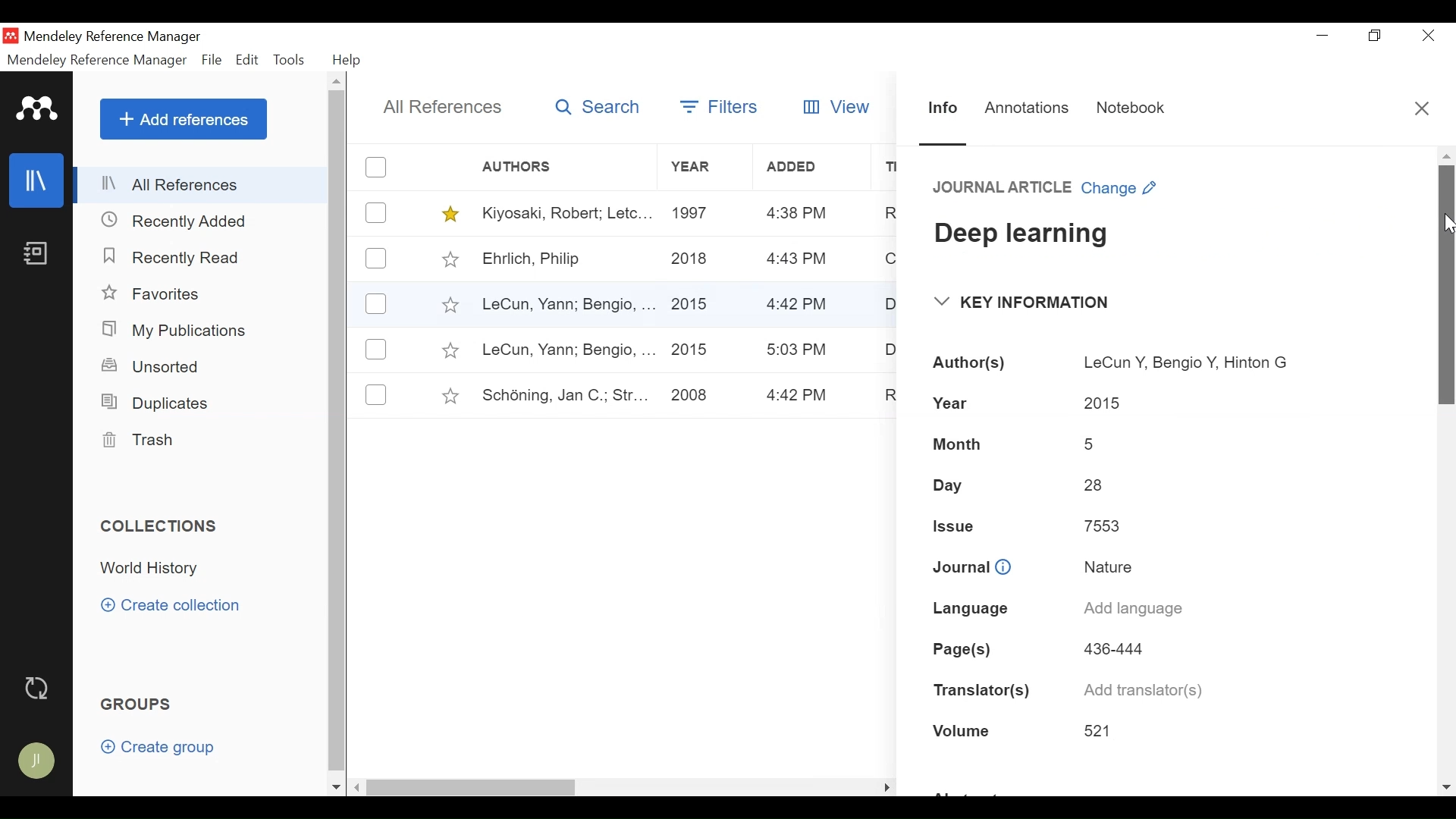  What do you see at coordinates (174, 257) in the screenshot?
I see `Recently Read` at bounding box center [174, 257].